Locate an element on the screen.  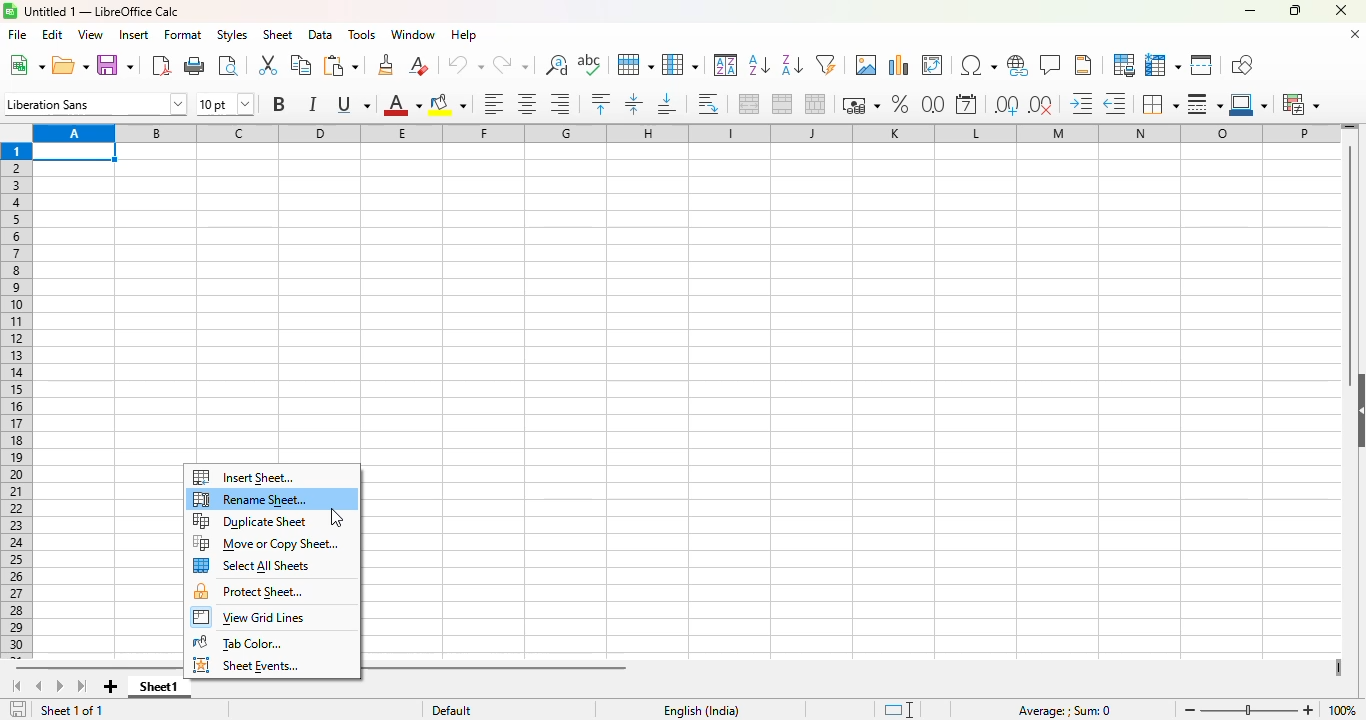
insert sheet is located at coordinates (243, 476).